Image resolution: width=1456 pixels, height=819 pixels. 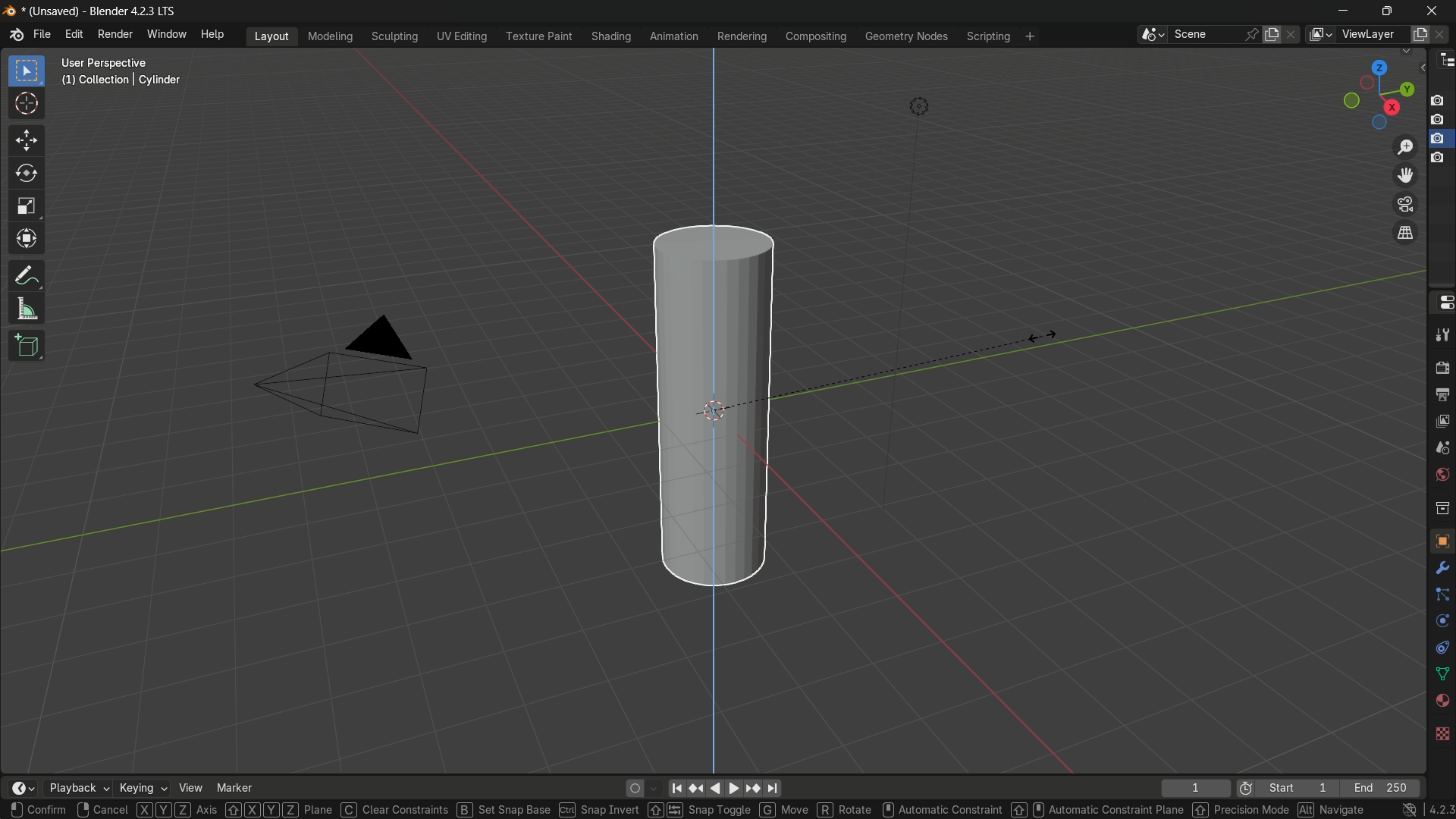 What do you see at coordinates (609, 36) in the screenshot?
I see `shading` at bounding box center [609, 36].